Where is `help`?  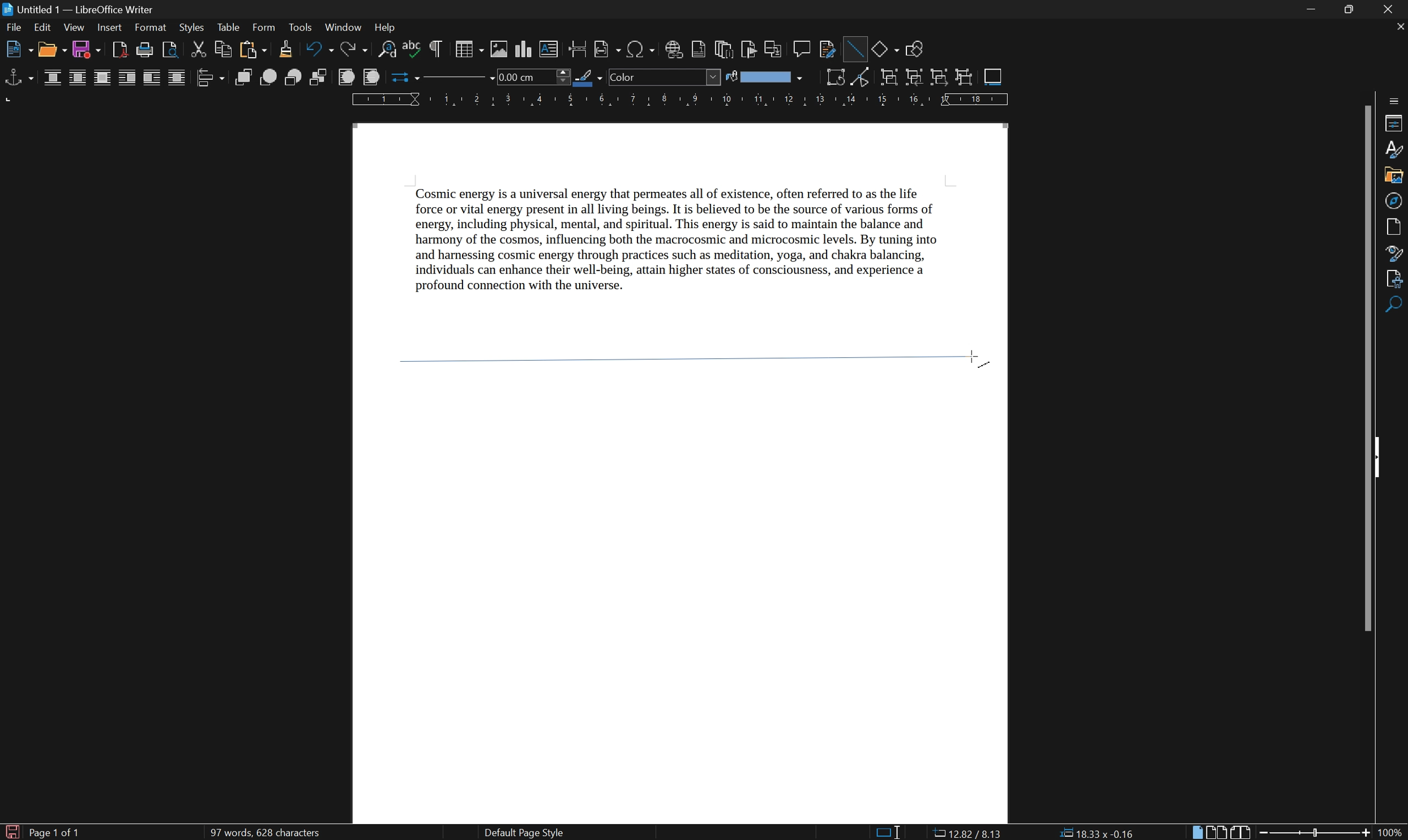 help is located at coordinates (388, 28).